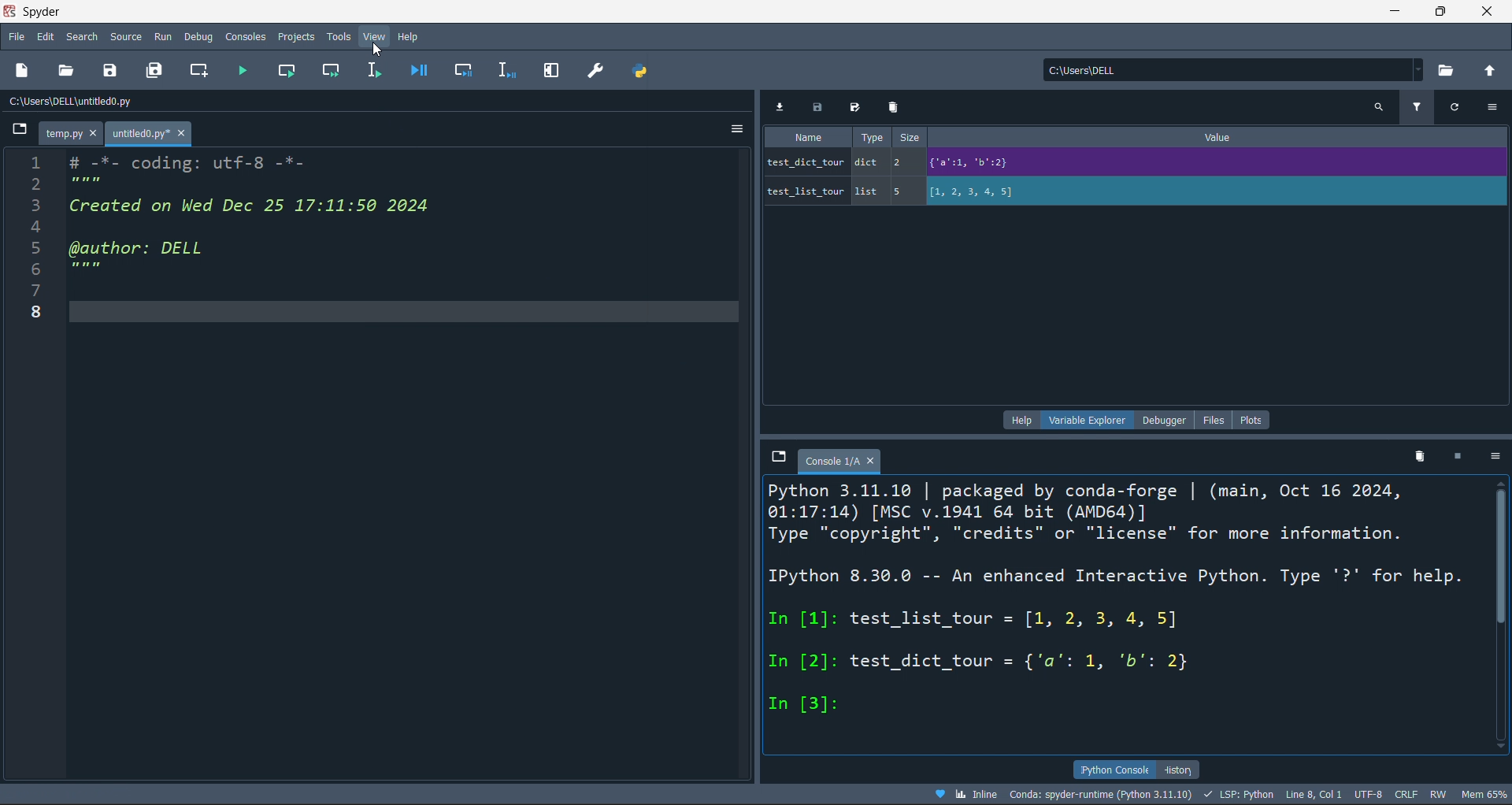 Image resolution: width=1512 pixels, height=805 pixels. Describe the element at coordinates (1417, 457) in the screenshot. I see `delete` at that location.